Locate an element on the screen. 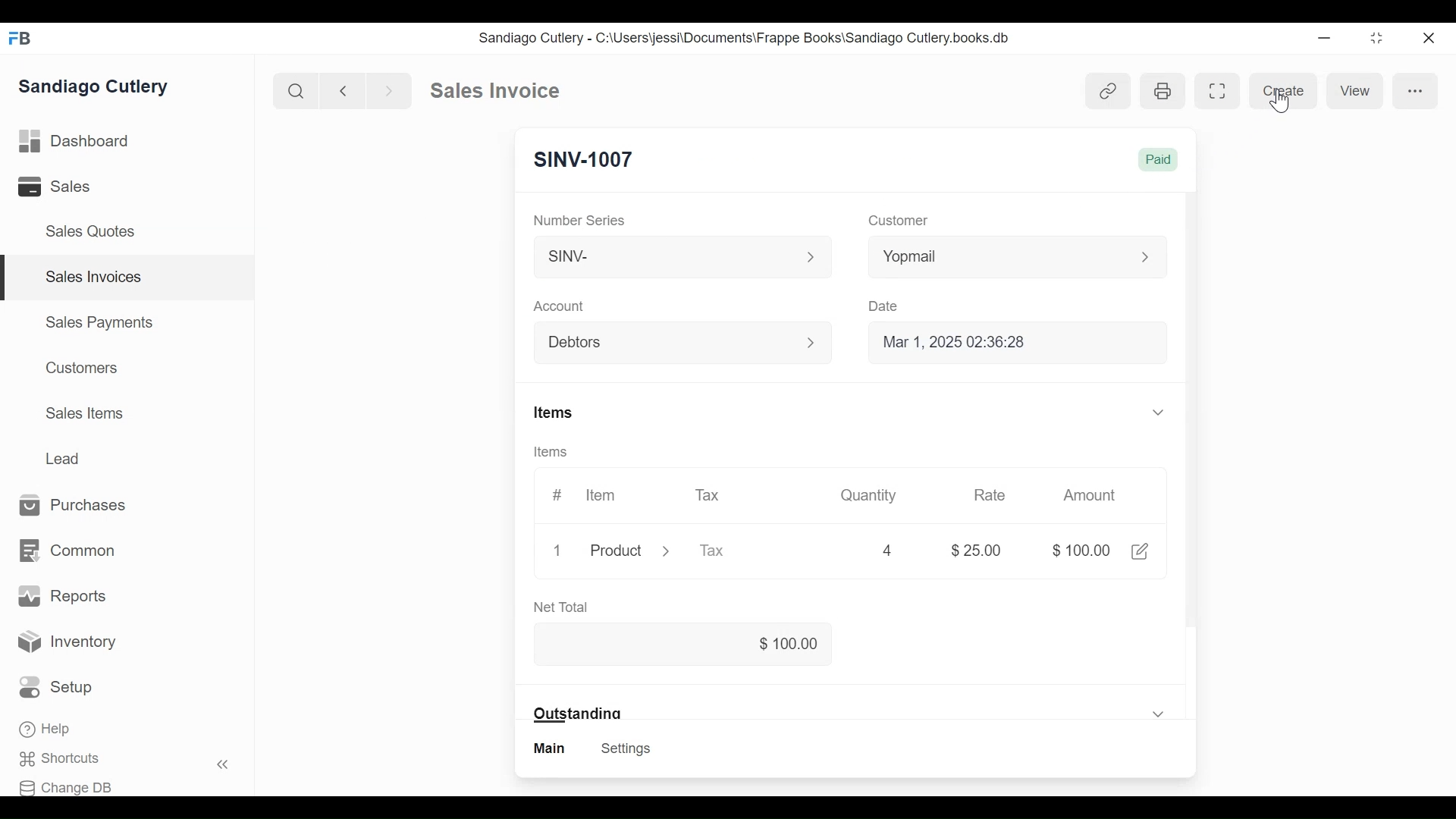  Outstanding is located at coordinates (849, 711).